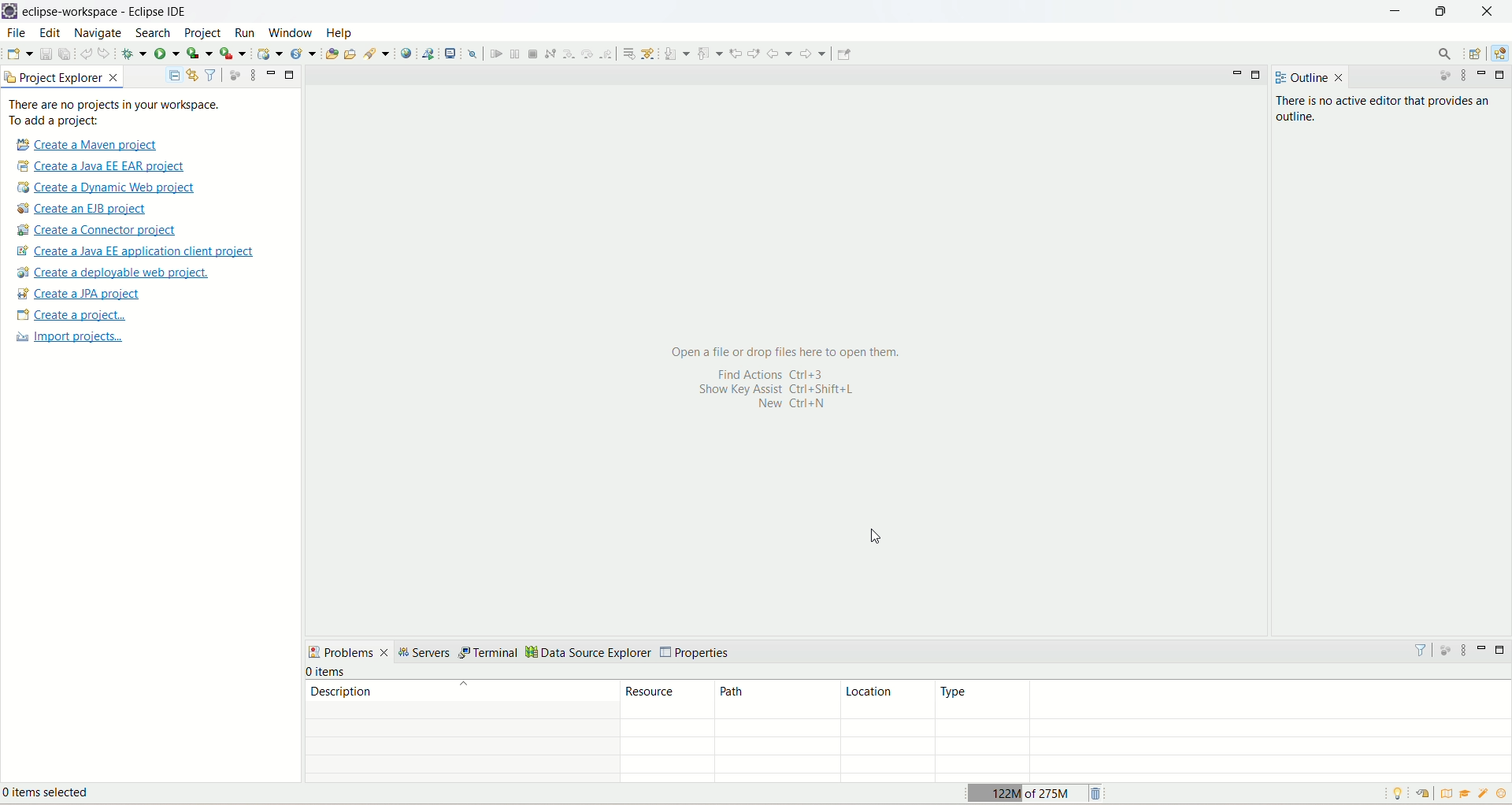 The image size is (1512, 805). I want to click on close, so click(1340, 78).